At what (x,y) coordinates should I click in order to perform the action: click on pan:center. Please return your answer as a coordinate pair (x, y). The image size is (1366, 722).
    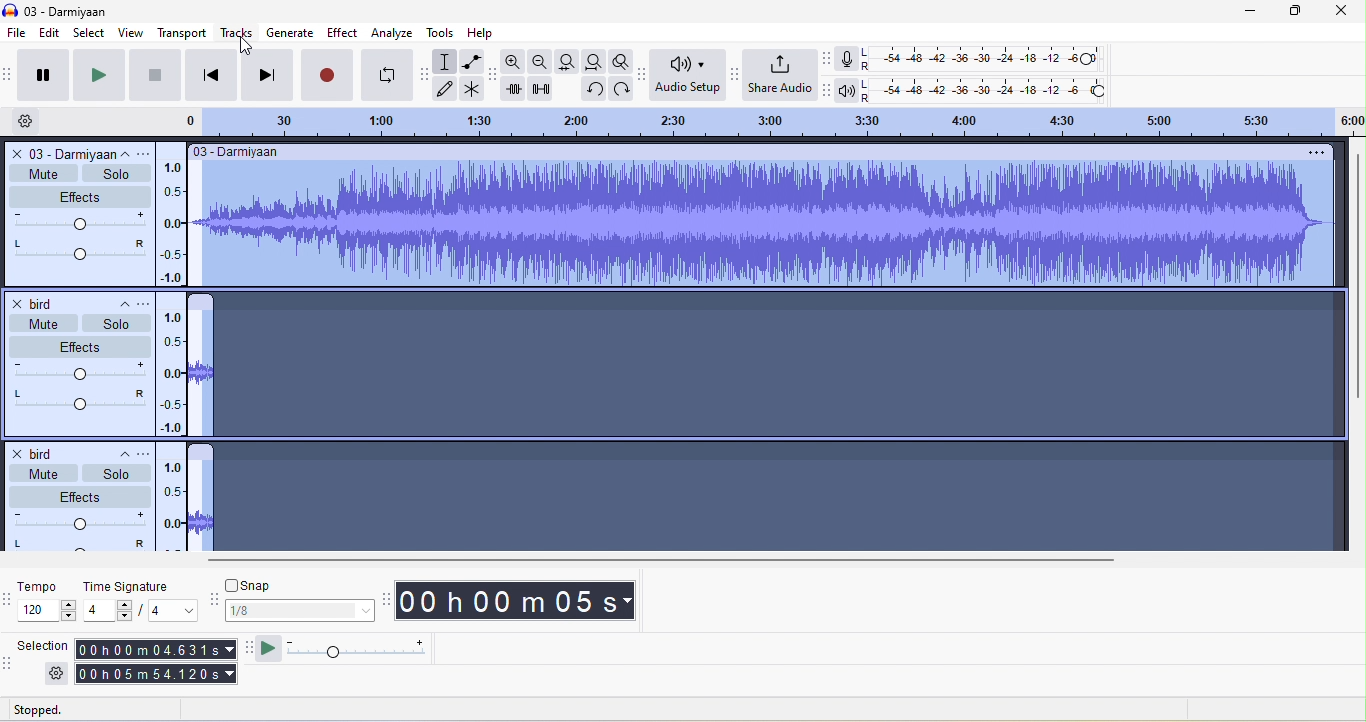
    Looking at the image, I should click on (77, 545).